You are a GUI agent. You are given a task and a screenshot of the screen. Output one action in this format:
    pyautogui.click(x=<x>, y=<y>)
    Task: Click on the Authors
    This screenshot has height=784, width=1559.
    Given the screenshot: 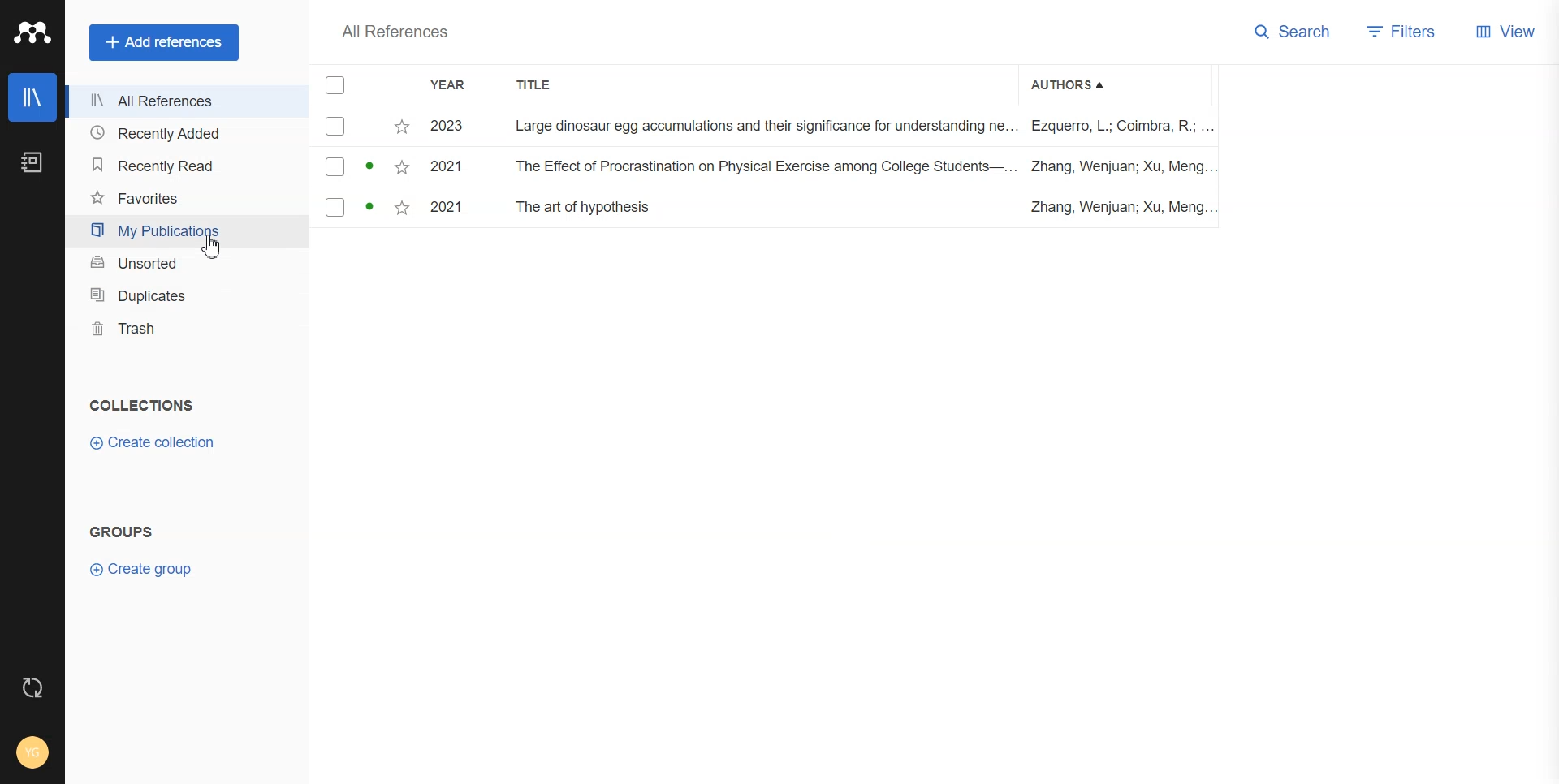 What is the action you would take?
    pyautogui.click(x=1071, y=84)
    